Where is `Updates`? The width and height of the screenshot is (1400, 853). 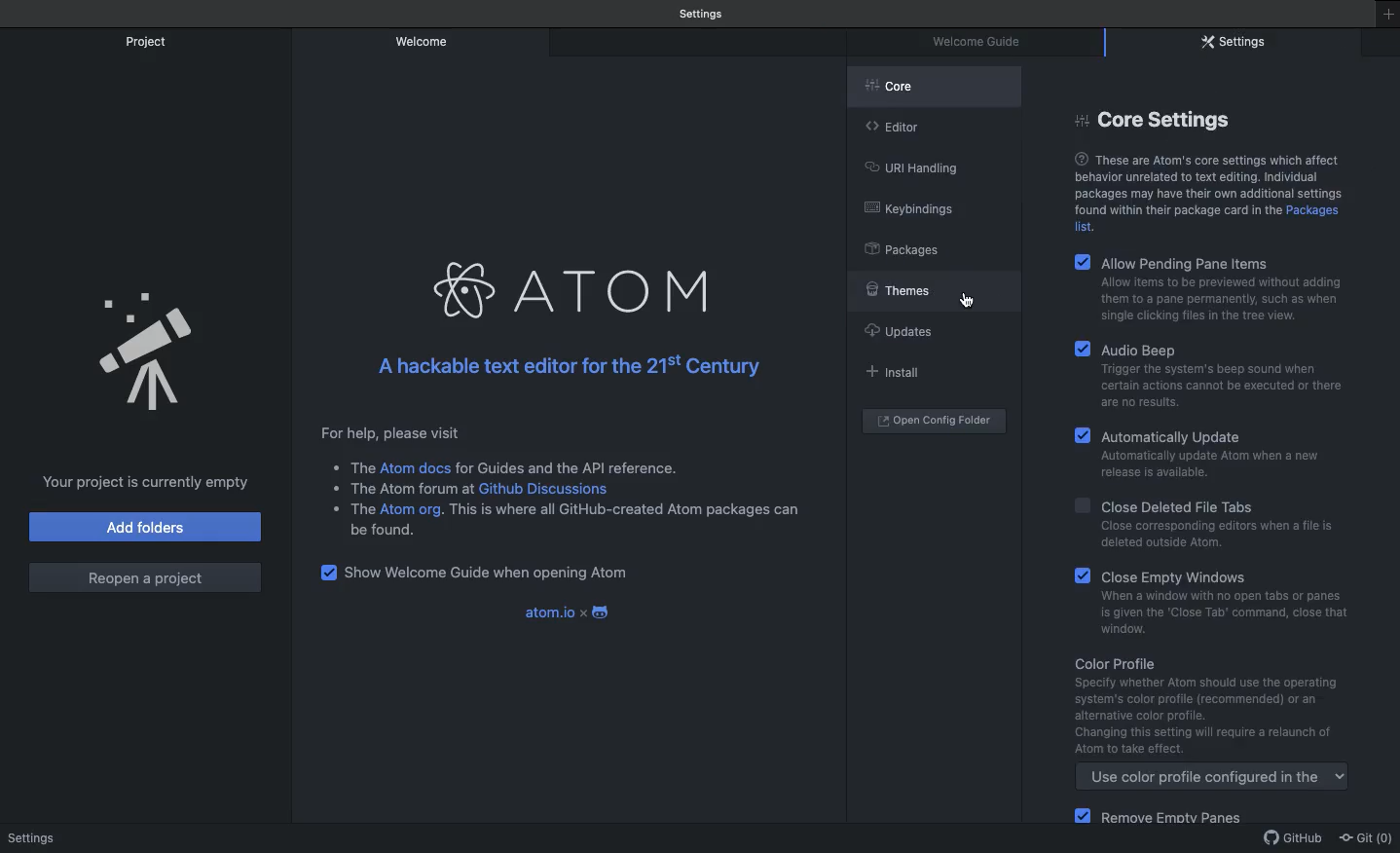 Updates is located at coordinates (903, 330).